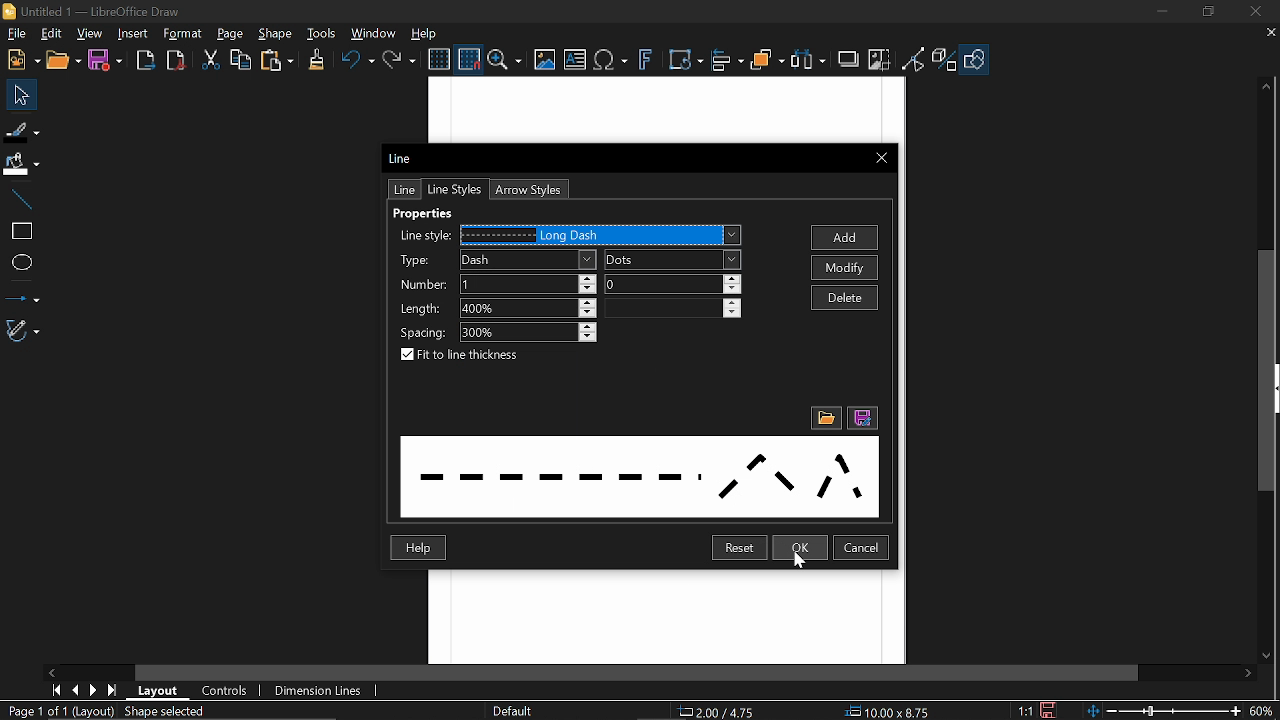  I want to click on Move, so click(17, 94).